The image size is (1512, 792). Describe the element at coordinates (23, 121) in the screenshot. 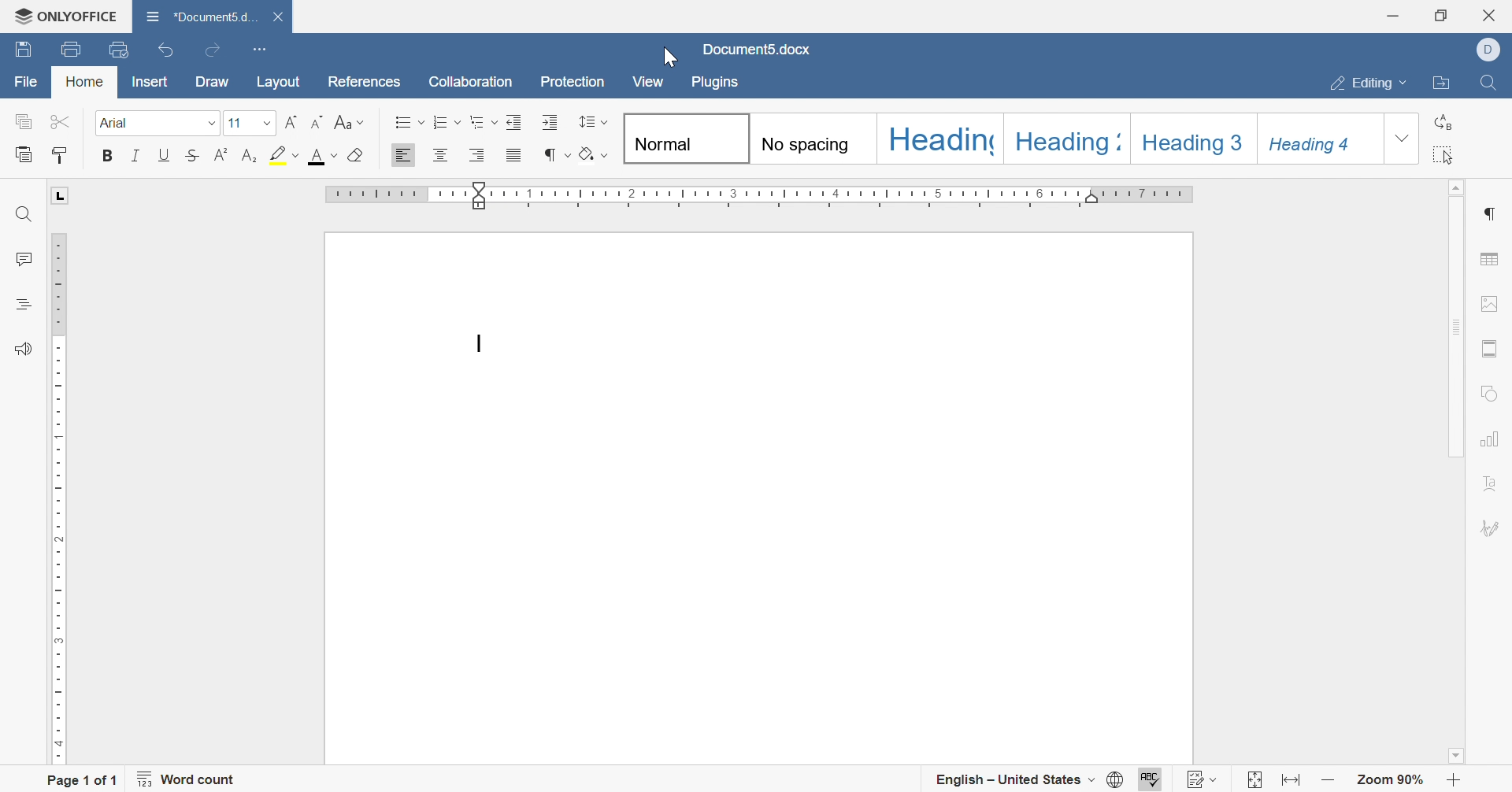

I see `copy` at that location.